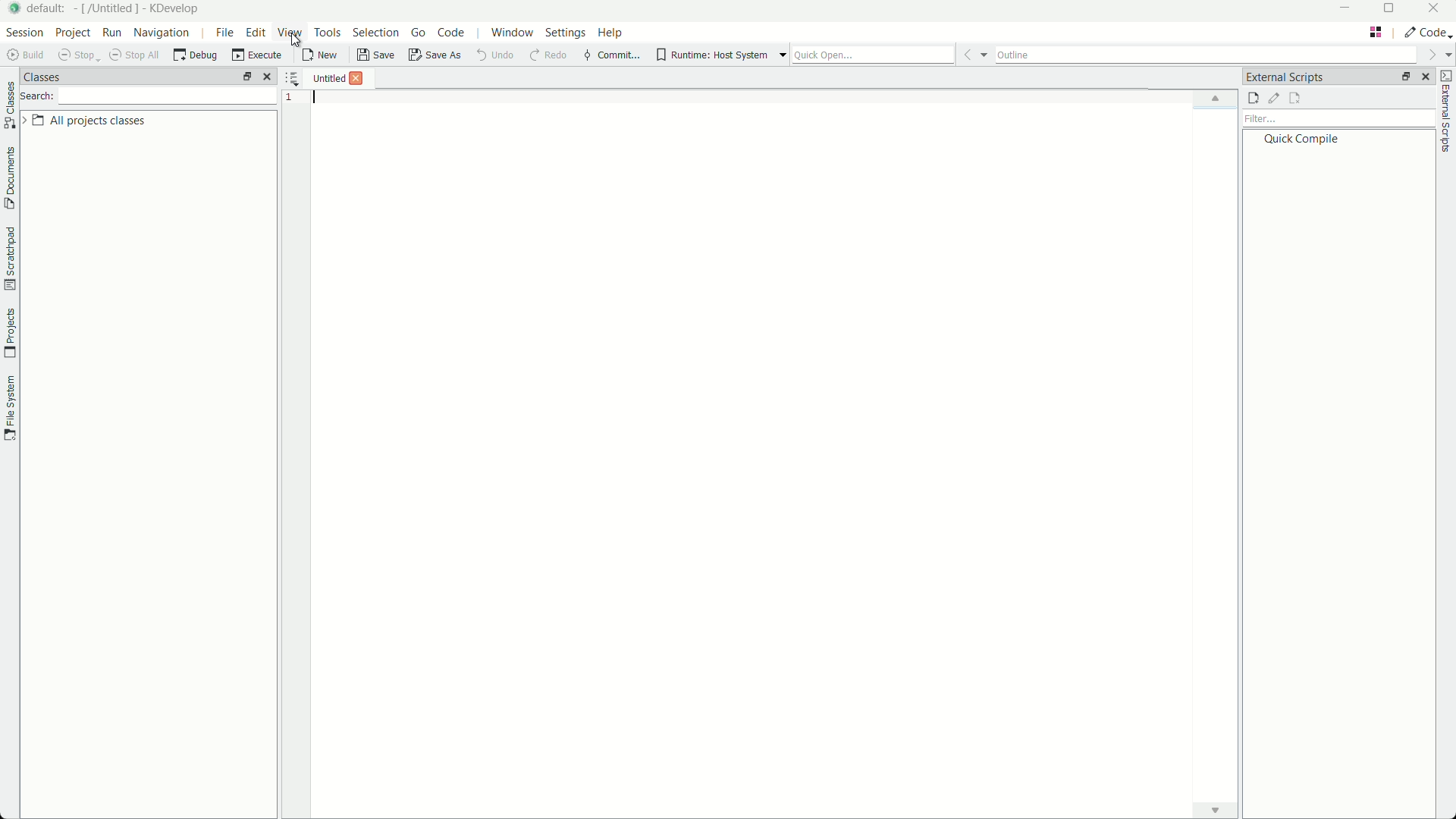 Image resolution: width=1456 pixels, height=819 pixels. What do you see at coordinates (360, 79) in the screenshot?
I see `close` at bounding box center [360, 79].